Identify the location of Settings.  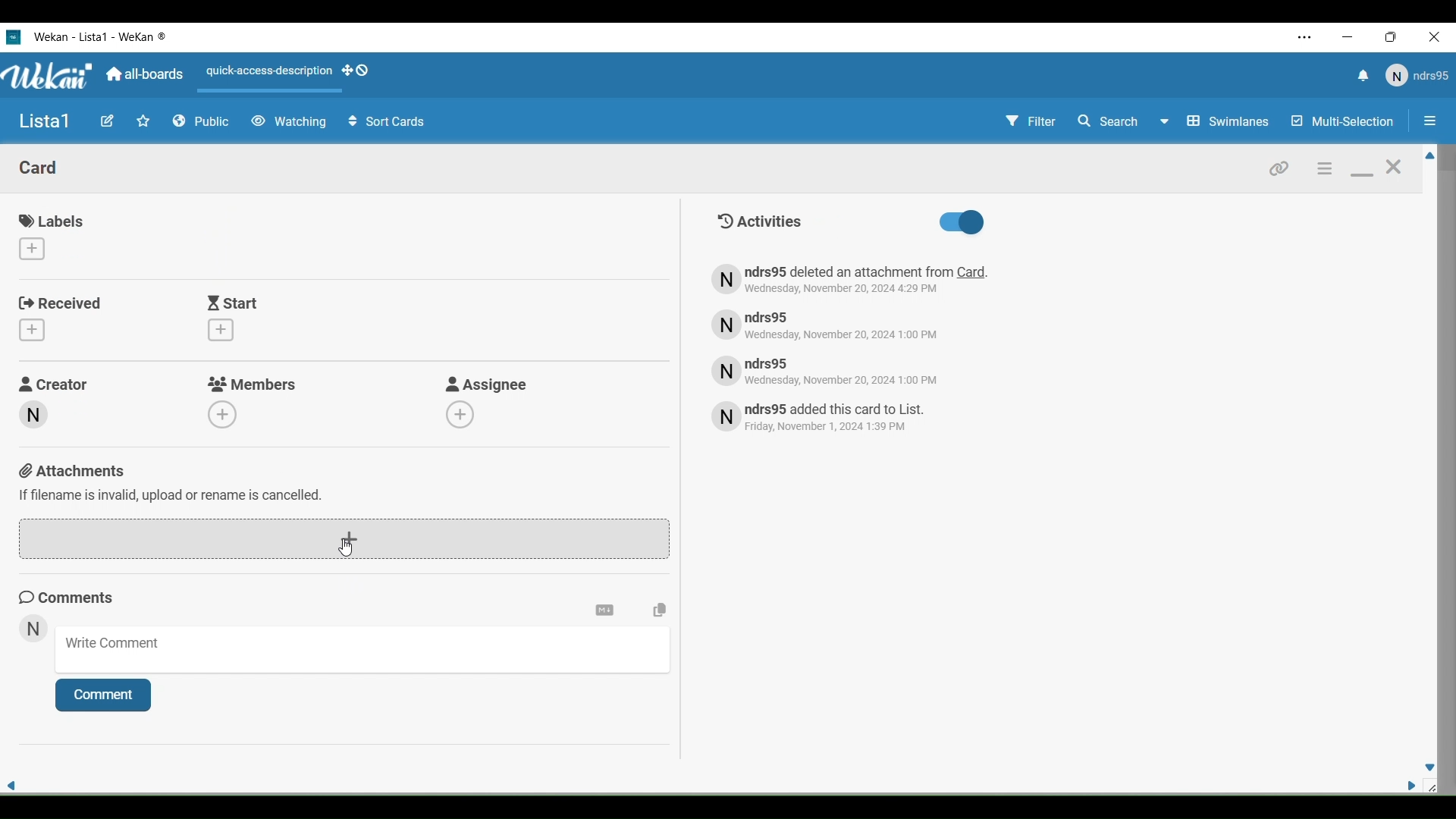
(1323, 168).